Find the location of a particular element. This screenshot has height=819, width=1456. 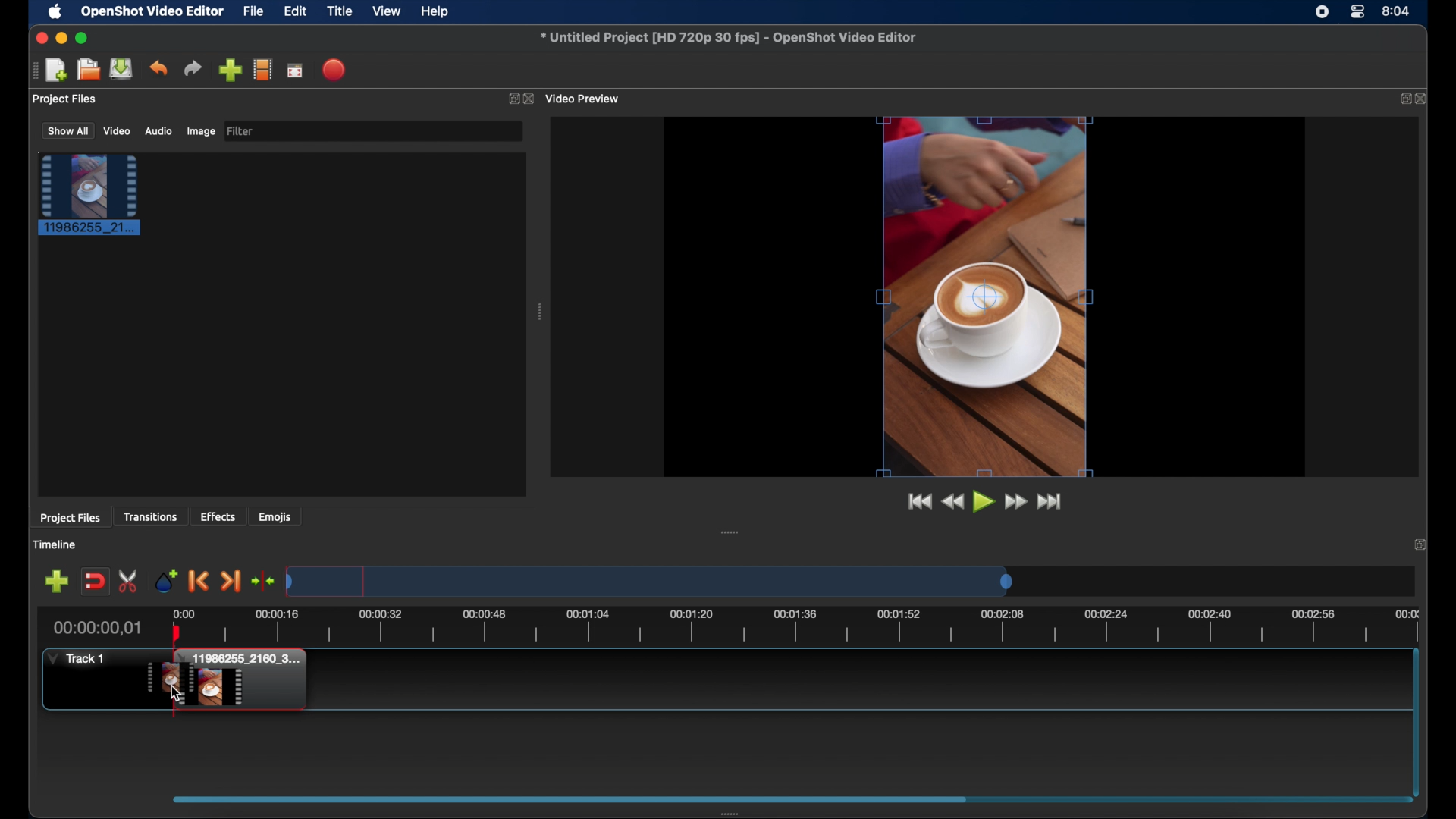

openshot video editor is located at coordinates (153, 12).